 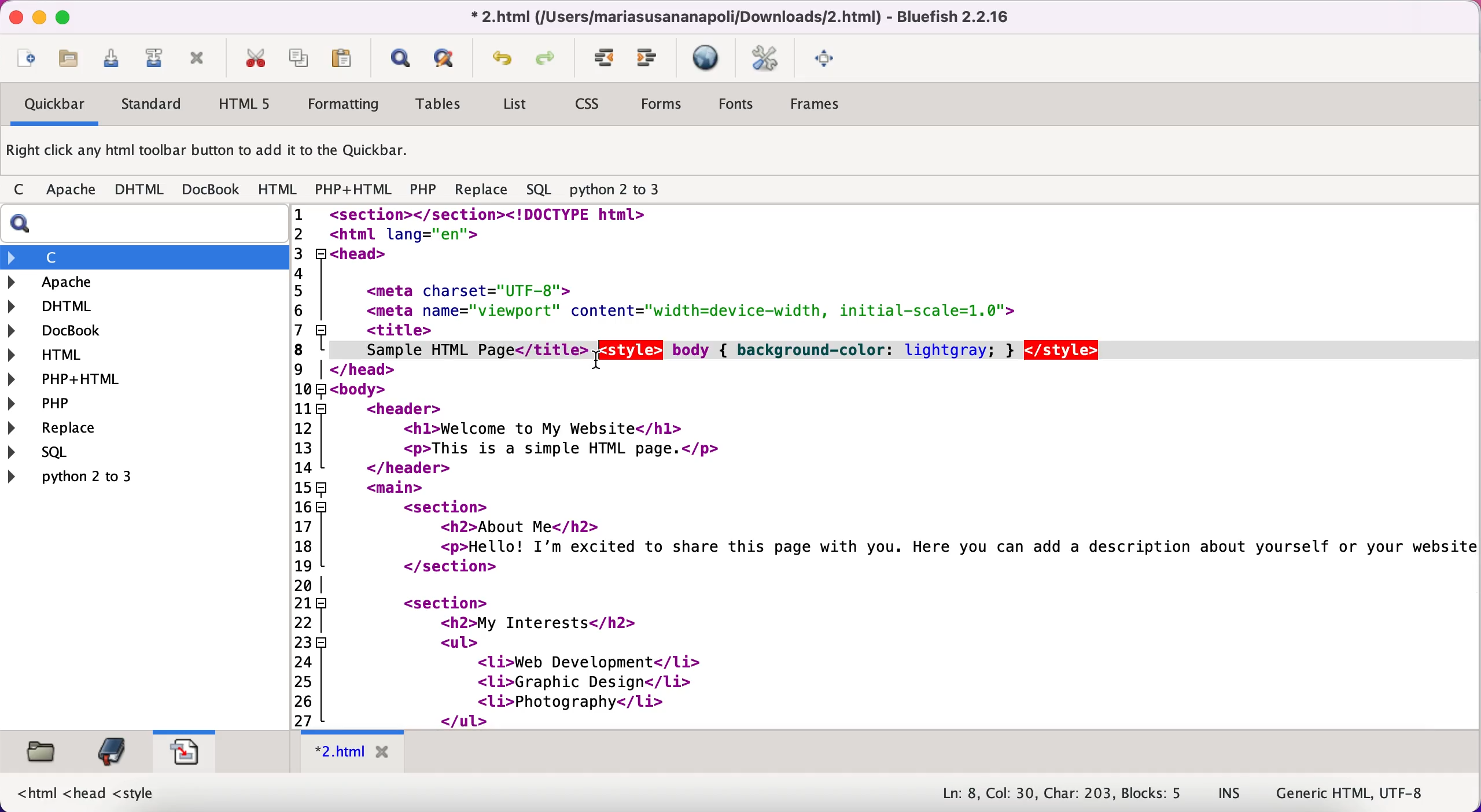 I want to click on standard, so click(x=153, y=106).